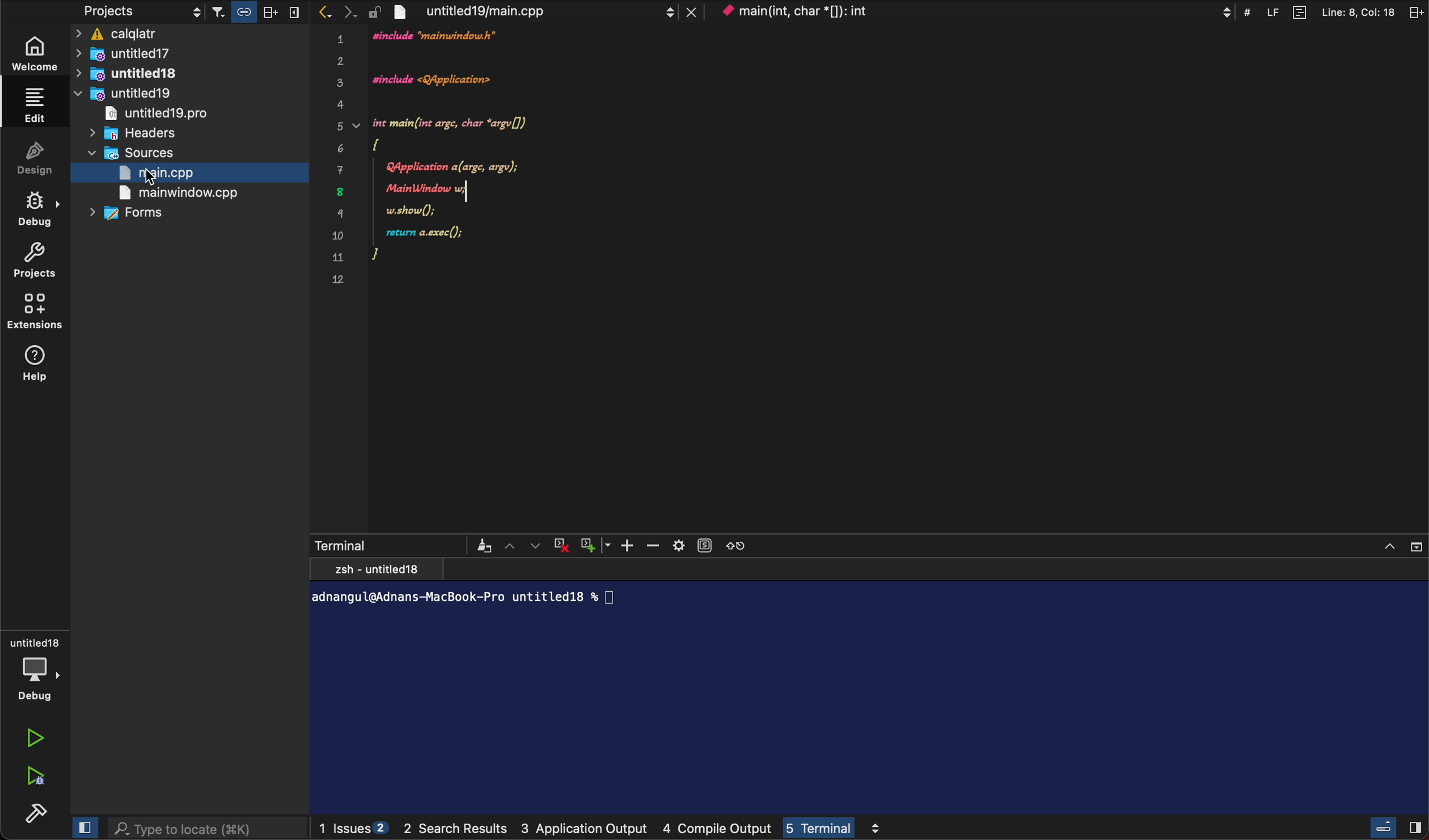 The image size is (1429, 840). I want to click on projects, so click(141, 12).